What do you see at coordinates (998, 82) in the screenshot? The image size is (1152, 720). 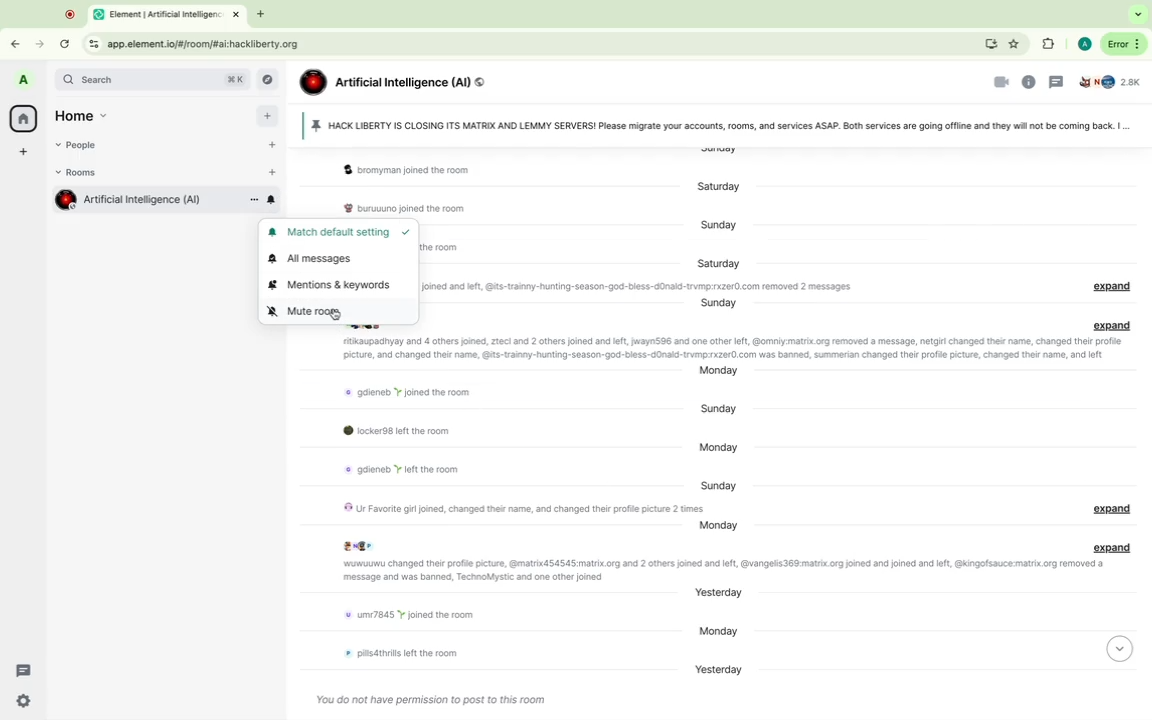 I see `Video` at bounding box center [998, 82].